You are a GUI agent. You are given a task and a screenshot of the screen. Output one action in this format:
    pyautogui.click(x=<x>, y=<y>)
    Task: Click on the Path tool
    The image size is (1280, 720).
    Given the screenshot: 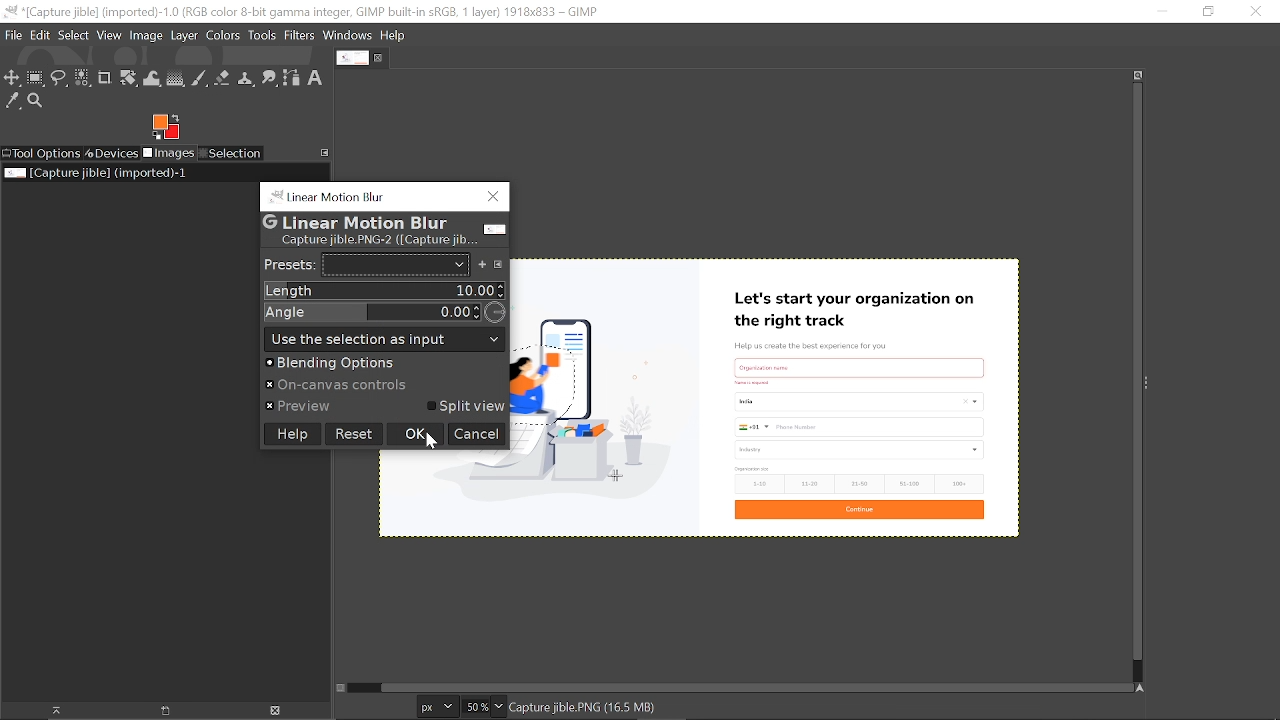 What is the action you would take?
    pyautogui.click(x=292, y=78)
    